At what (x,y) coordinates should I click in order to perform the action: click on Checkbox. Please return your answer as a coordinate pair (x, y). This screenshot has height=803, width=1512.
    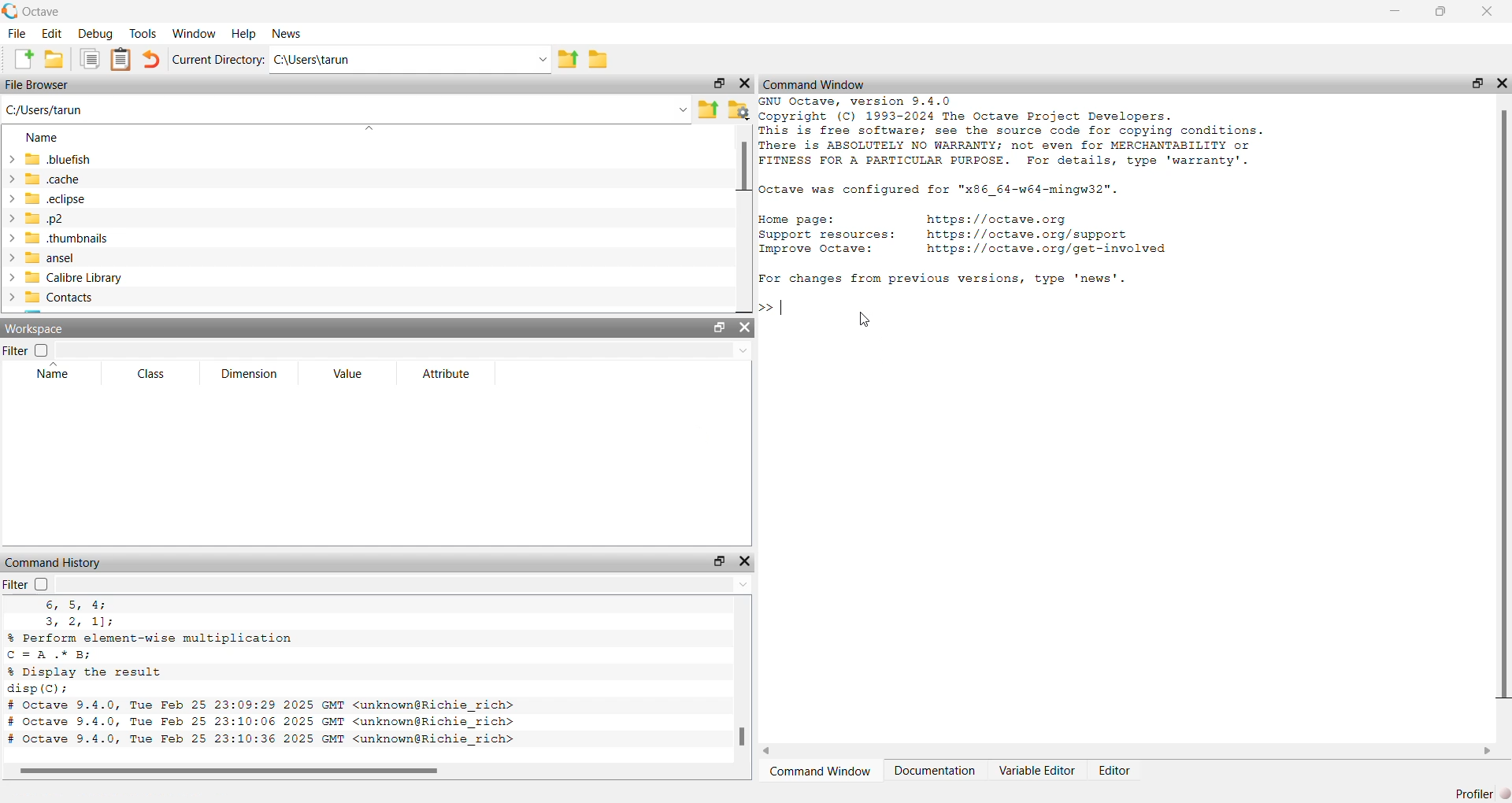
    Looking at the image, I should click on (41, 583).